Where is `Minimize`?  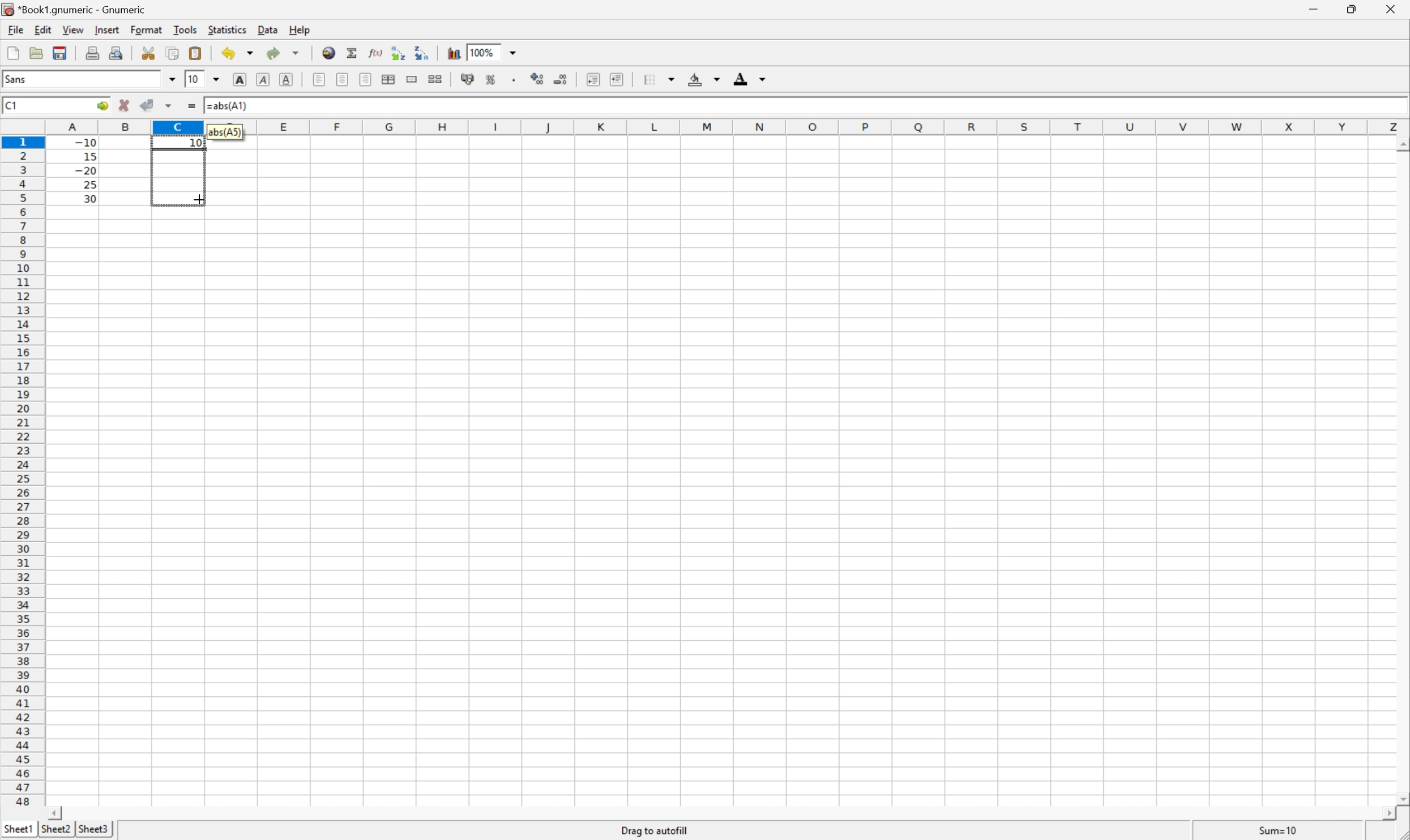 Minimize is located at coordinates (1315, 8).